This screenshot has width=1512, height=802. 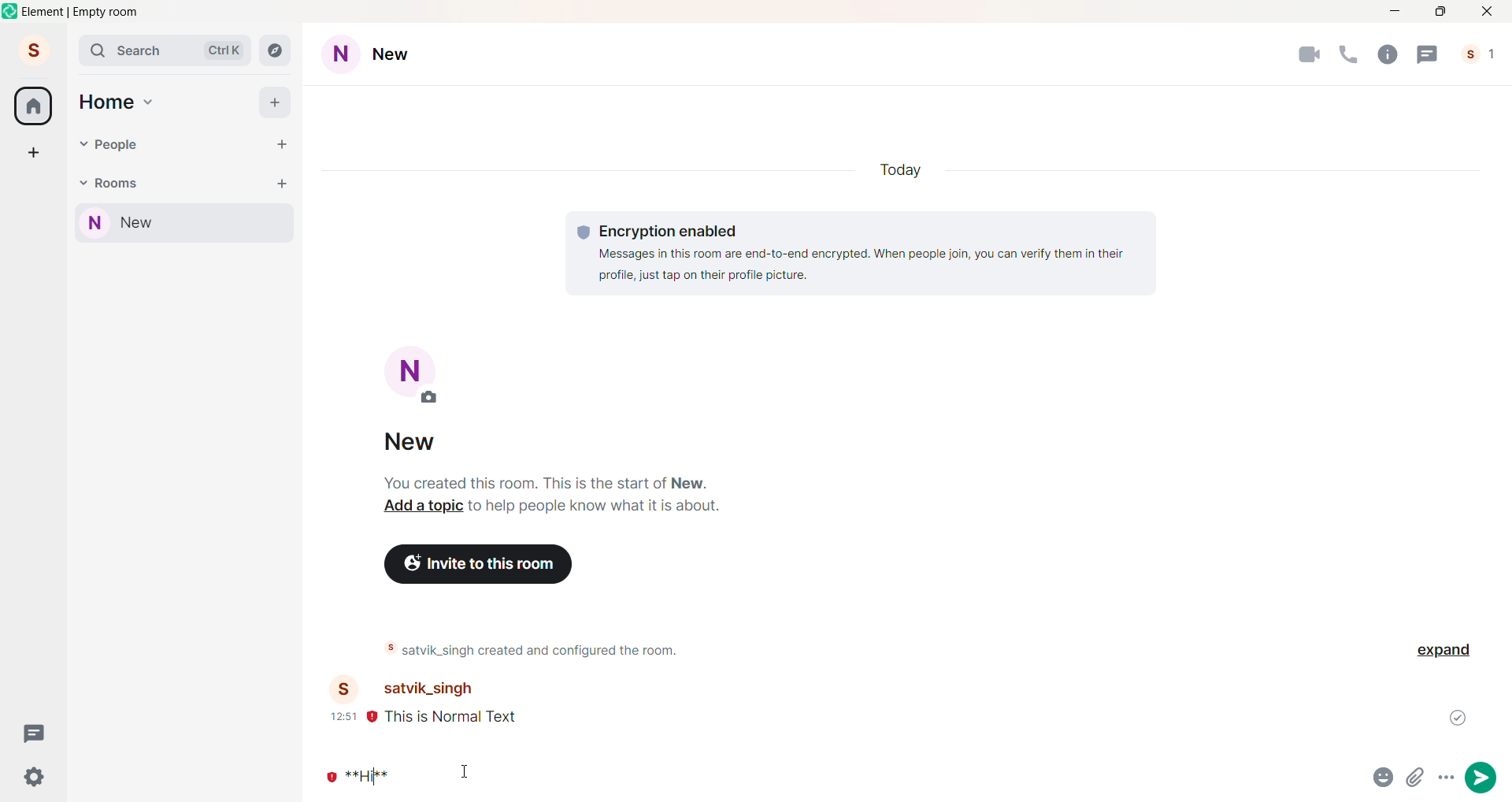 I want to click on Add, so click(x=276, y=102).